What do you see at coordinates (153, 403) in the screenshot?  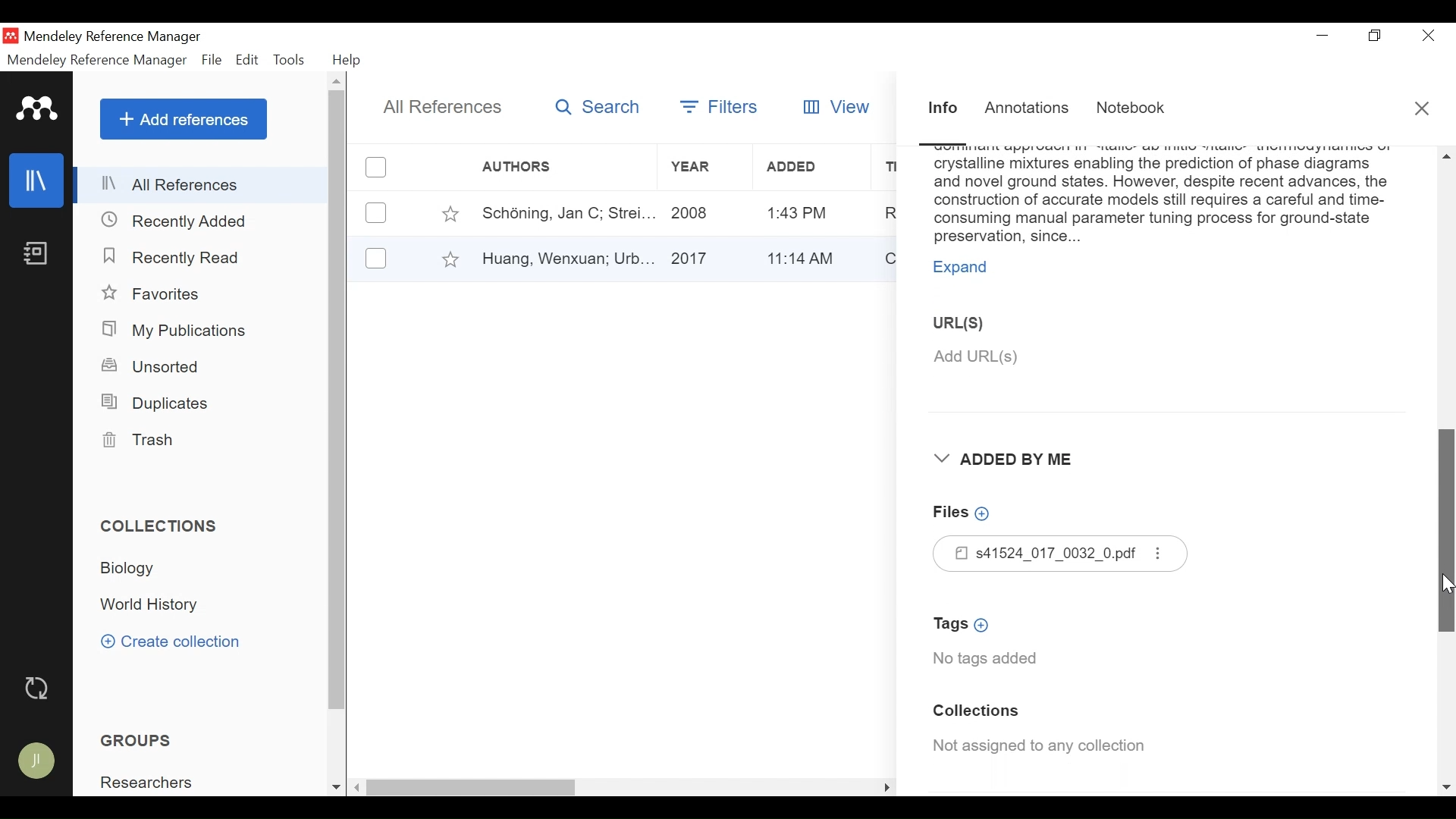 I see `Duplicates` at bounding box center [153, 403].